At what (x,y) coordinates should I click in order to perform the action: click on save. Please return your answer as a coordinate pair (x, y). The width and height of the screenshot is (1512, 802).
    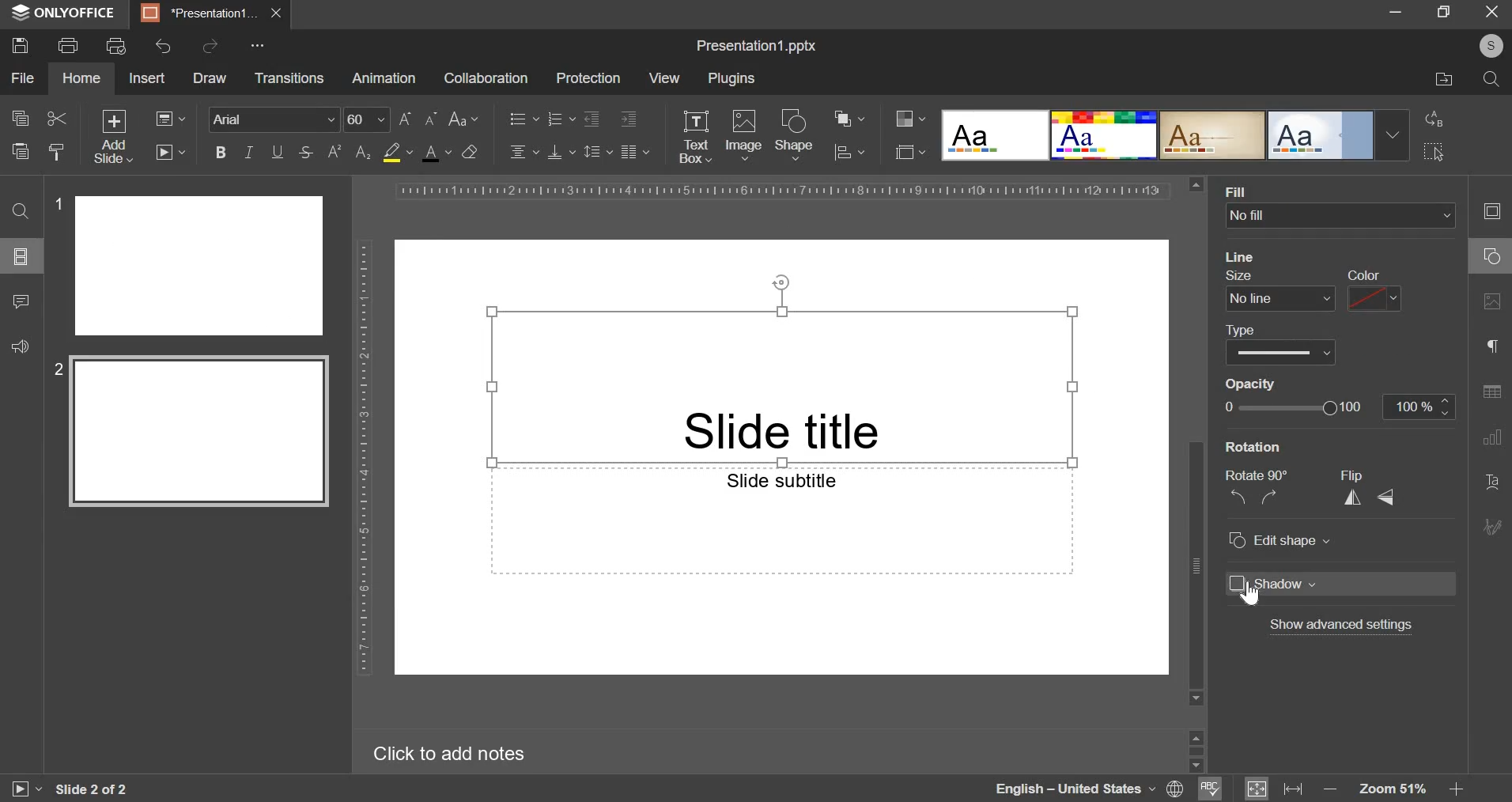
    Looking at the image, I should click on (19, 44).